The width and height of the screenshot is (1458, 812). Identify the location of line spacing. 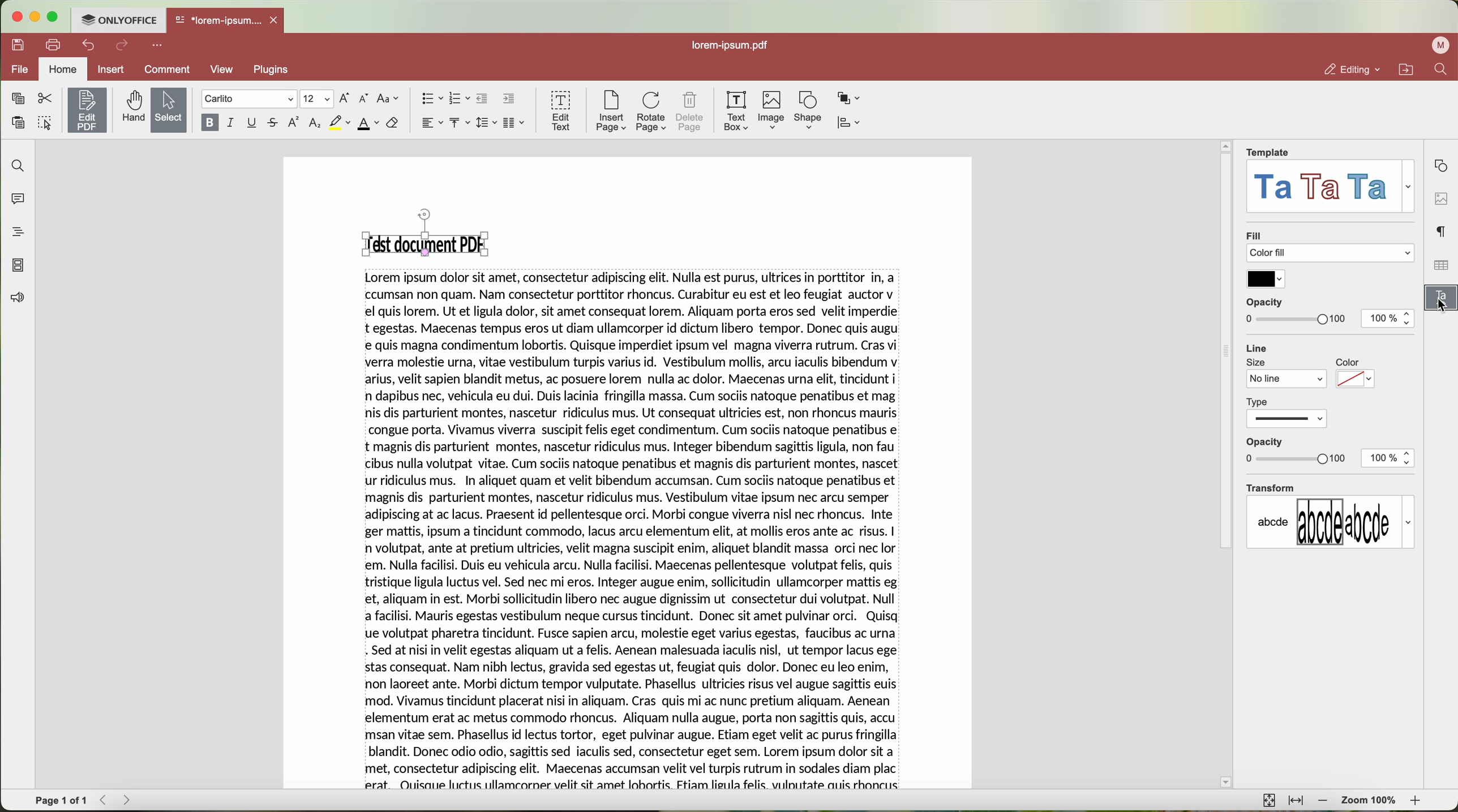
(488, 122).